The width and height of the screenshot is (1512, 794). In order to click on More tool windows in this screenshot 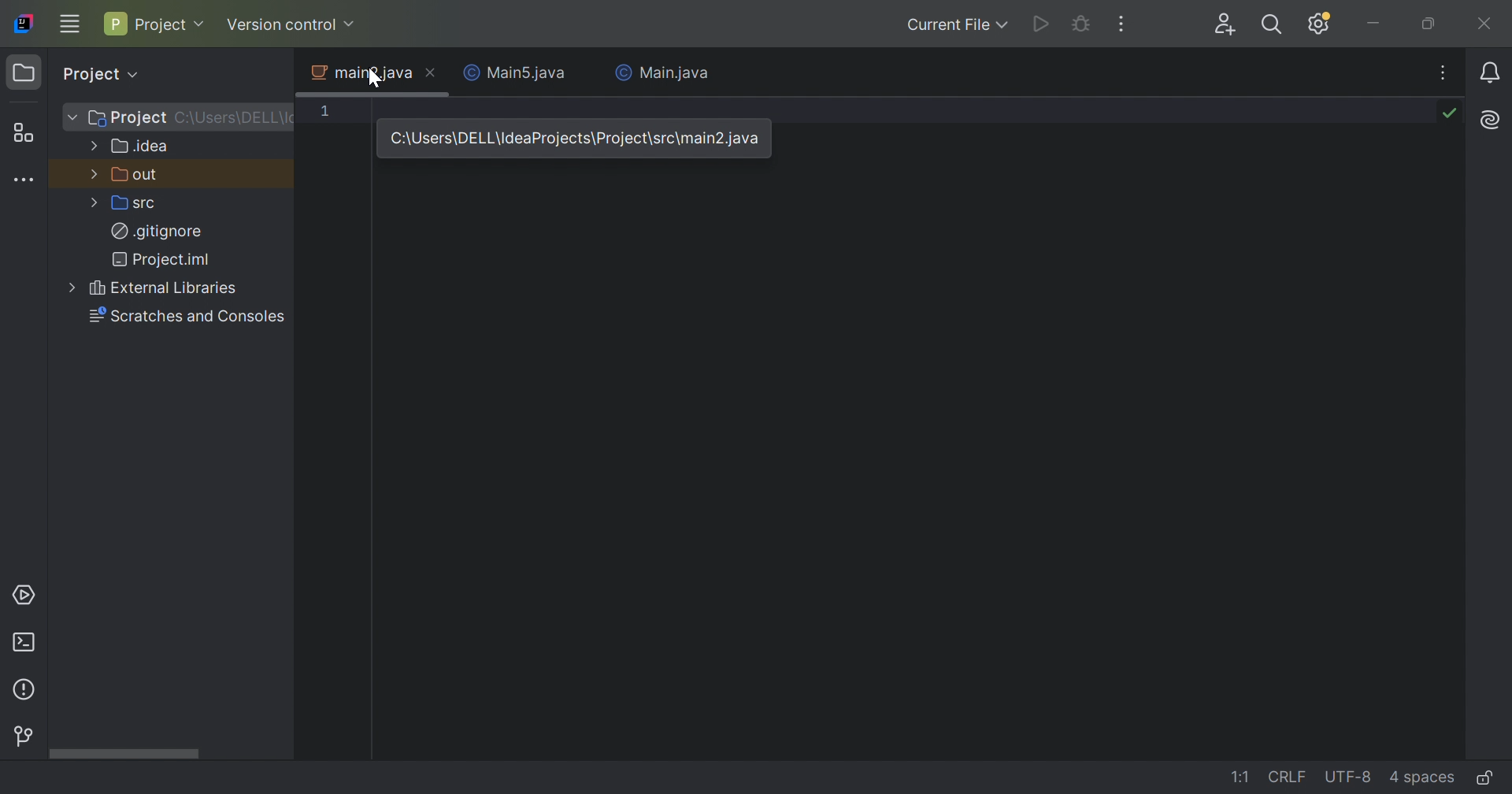, I will do `click(27, 180)`.